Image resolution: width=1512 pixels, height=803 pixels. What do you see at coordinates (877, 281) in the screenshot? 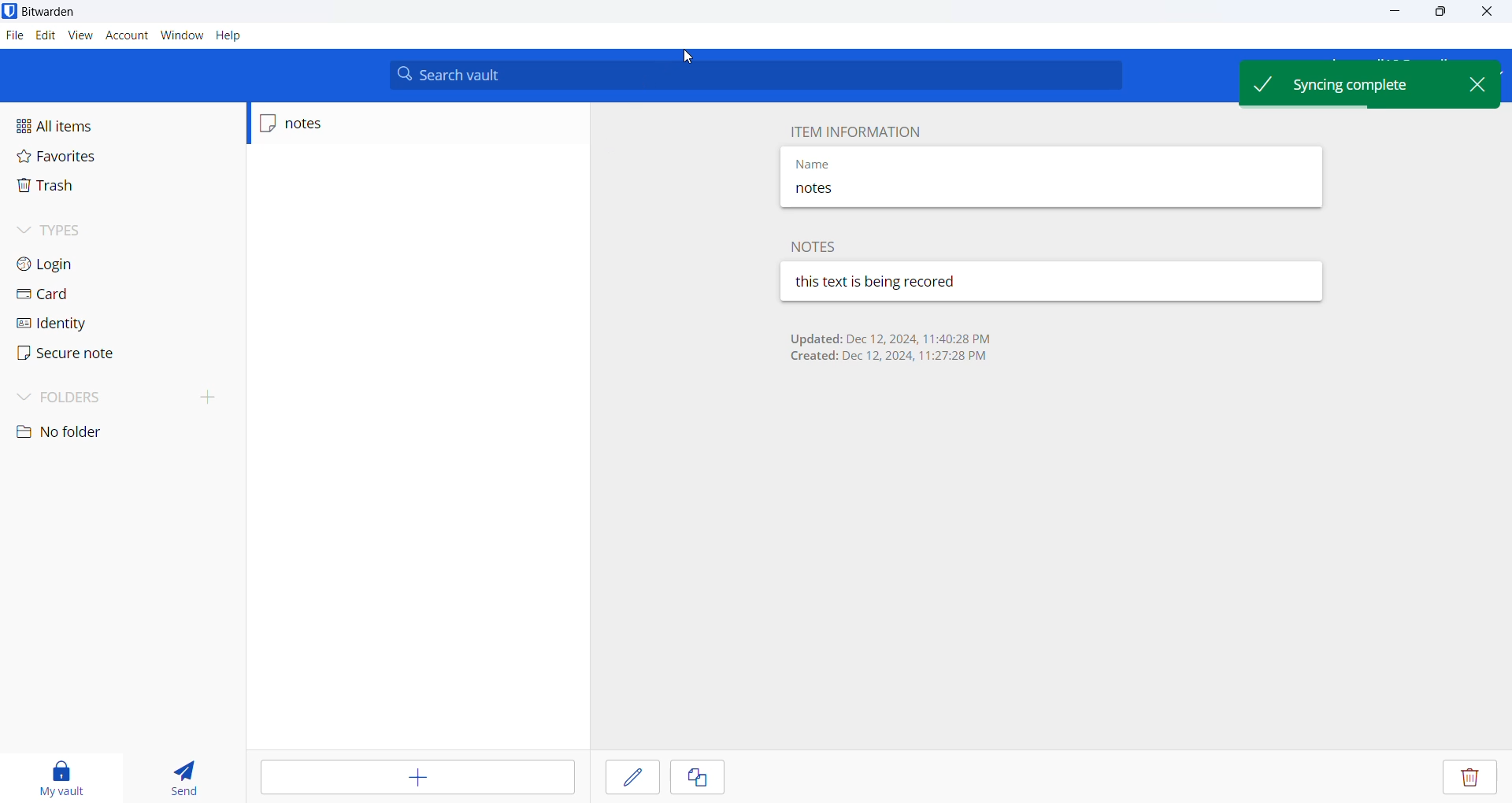
I see `this text is being recorded` at bounding box center [877, 281].